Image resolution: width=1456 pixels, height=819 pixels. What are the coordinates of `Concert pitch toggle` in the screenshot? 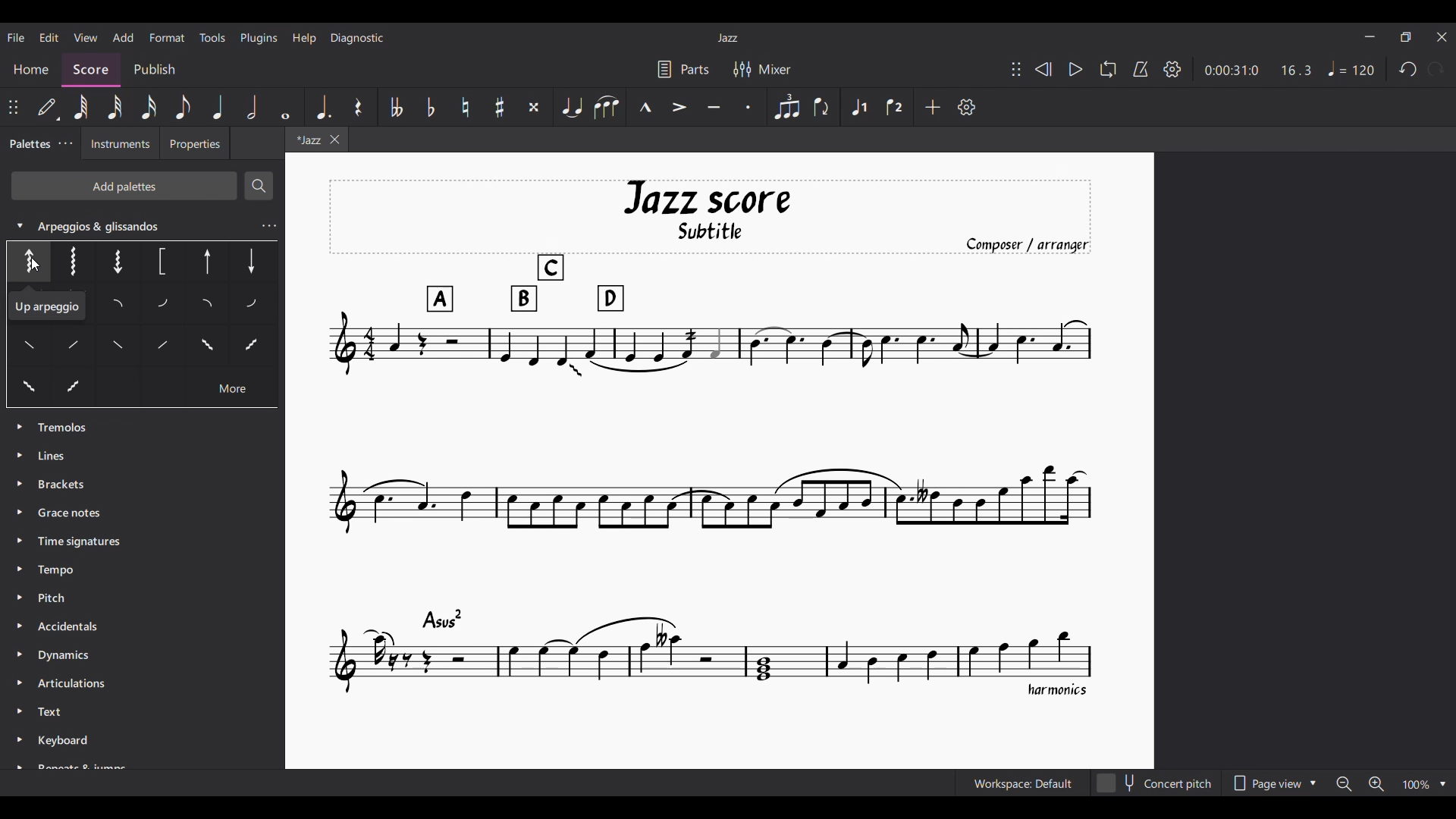 It's located at (1156, 783).